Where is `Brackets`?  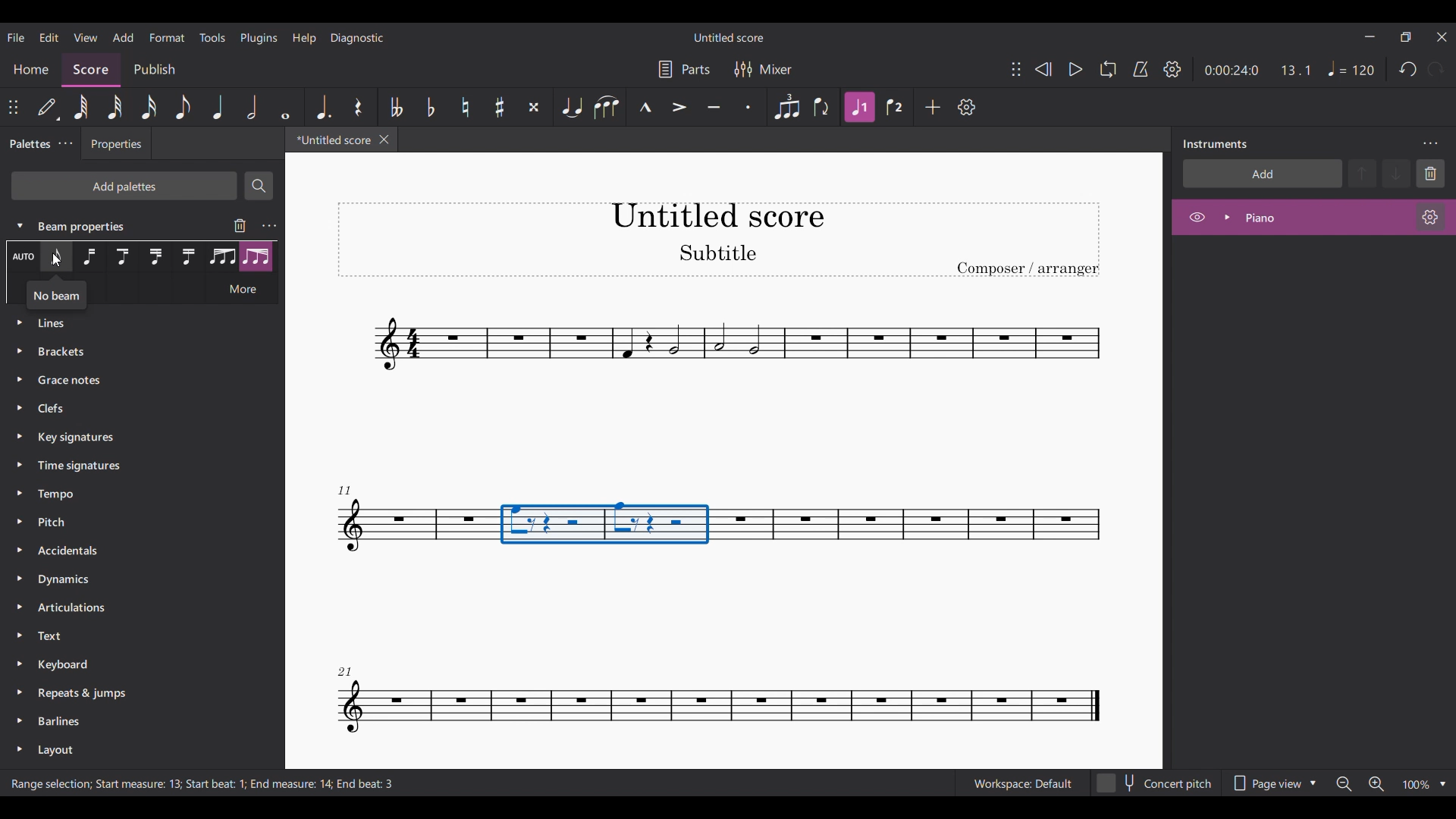
Brackets is located at coordinates (136, 354).